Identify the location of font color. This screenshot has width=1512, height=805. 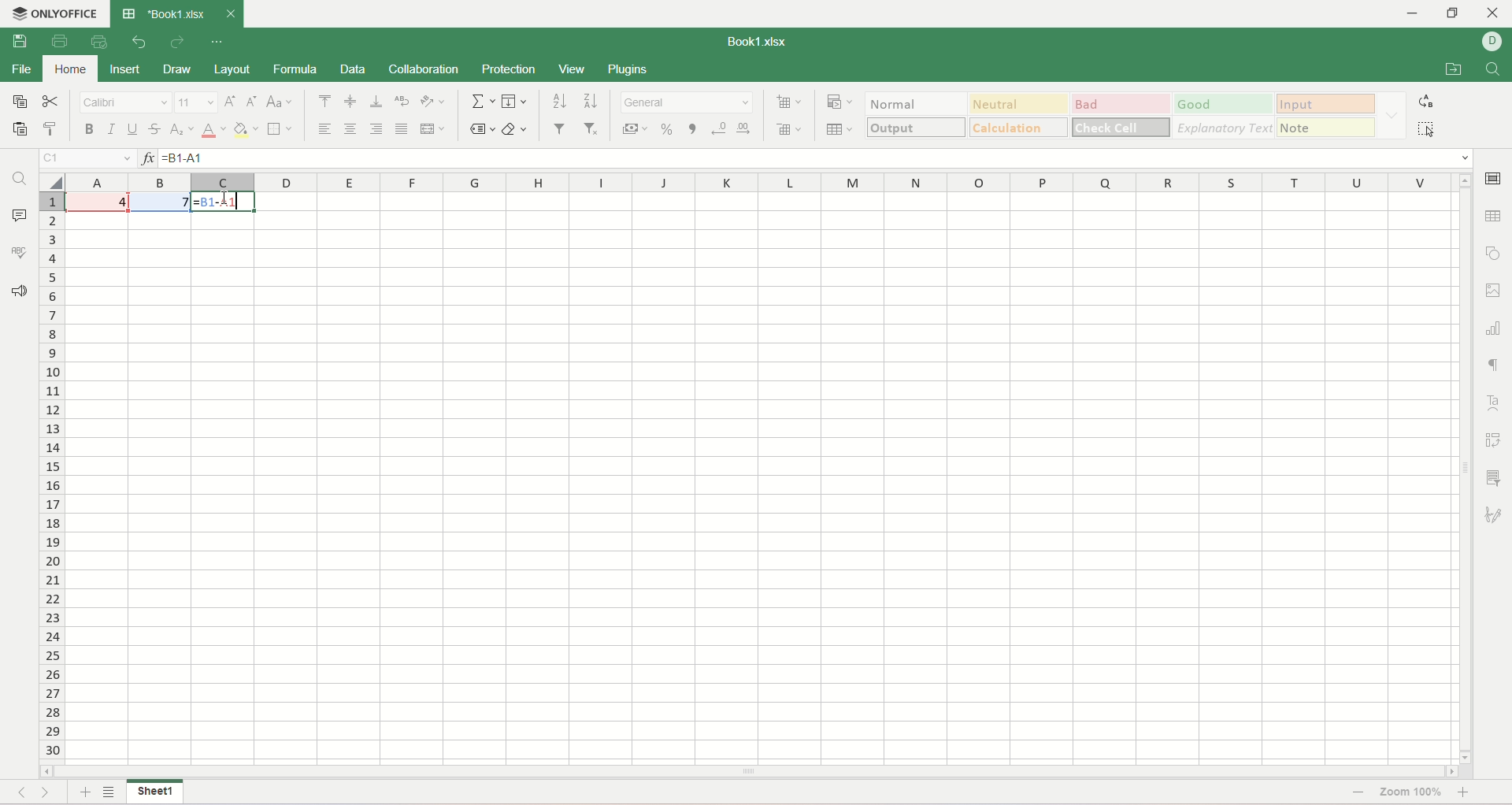
(213, 129).